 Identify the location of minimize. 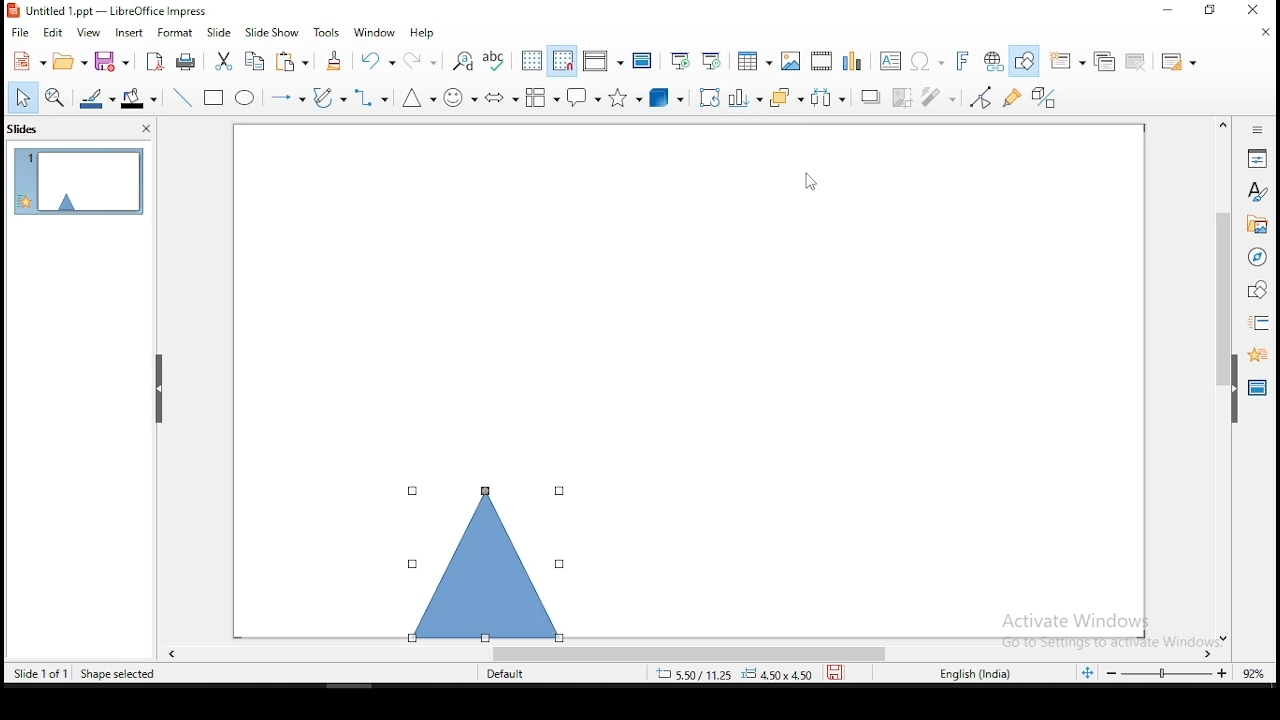
(1164, 12).